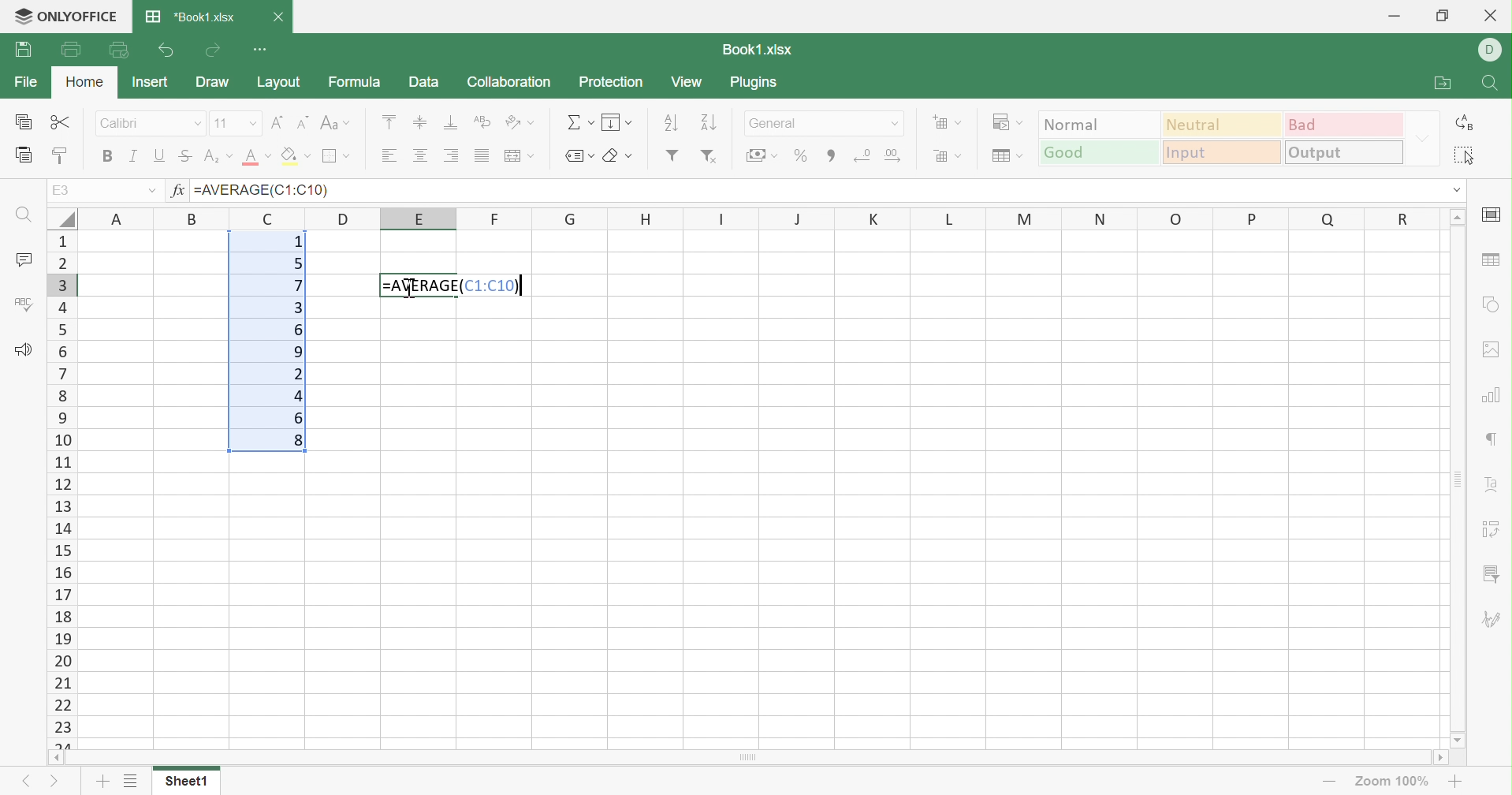 This screenshot has width=1512, height=795. I want to click on Accounting style, so click(764, 157).